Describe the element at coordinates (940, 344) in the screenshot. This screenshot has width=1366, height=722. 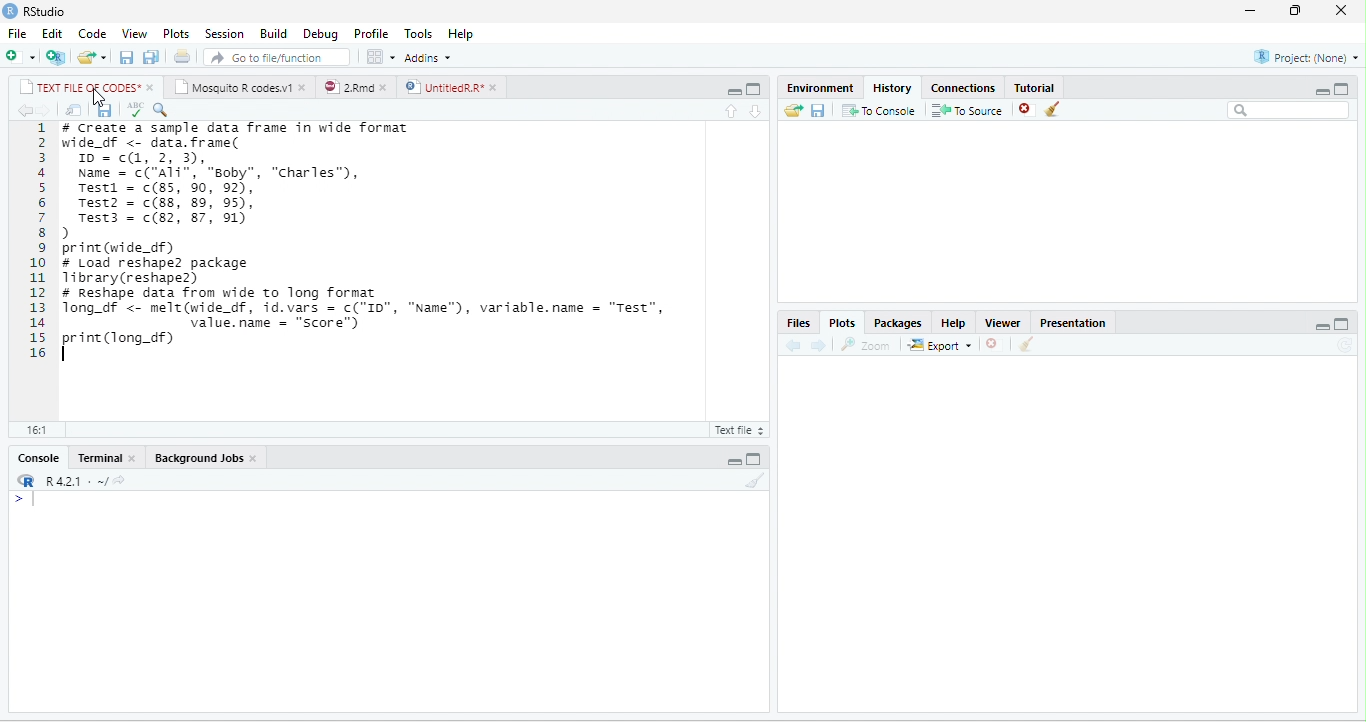
I see `Export` at that location.